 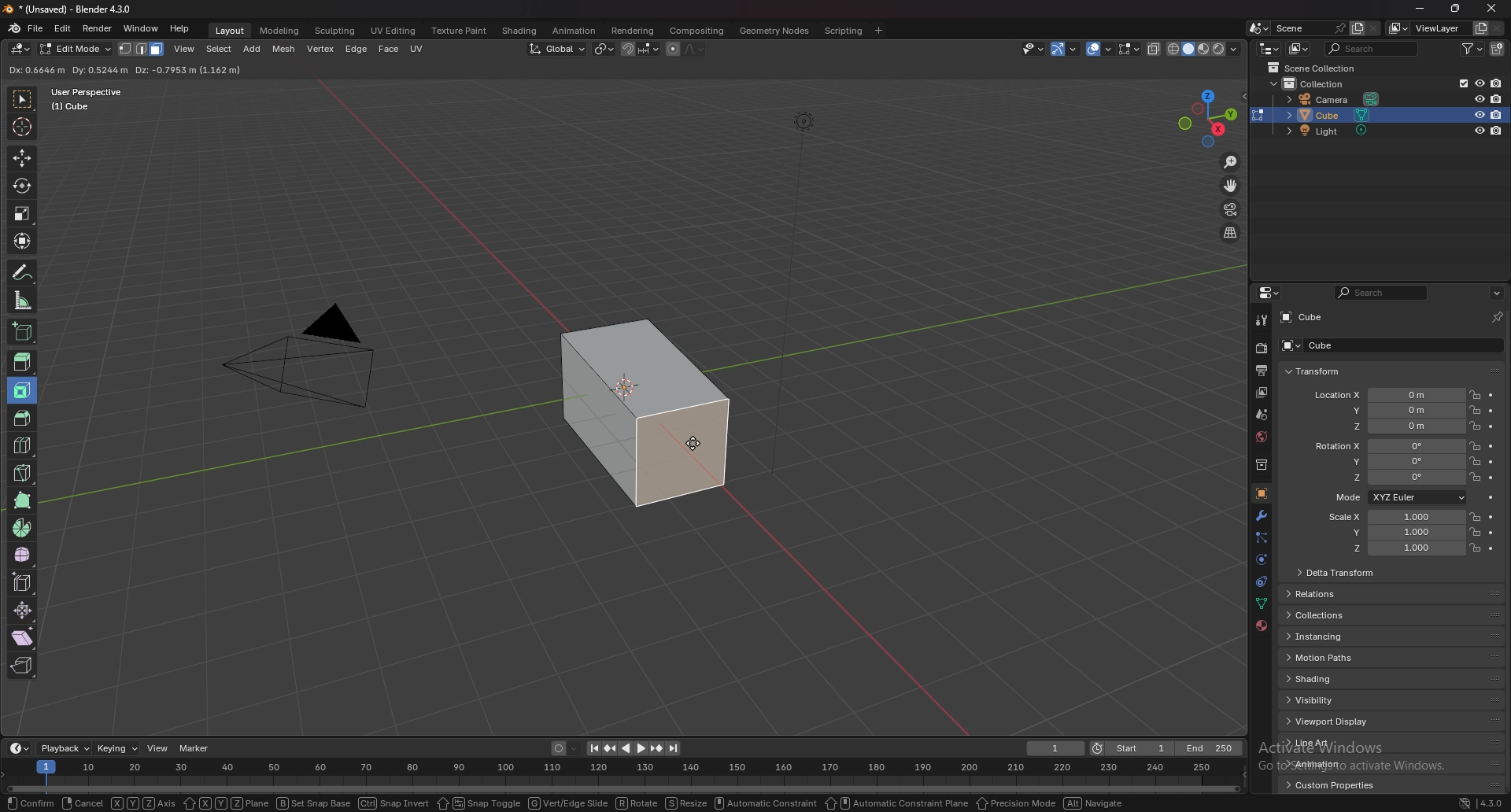 I want to click on jump to keyframe, so click(x=610, y=749).